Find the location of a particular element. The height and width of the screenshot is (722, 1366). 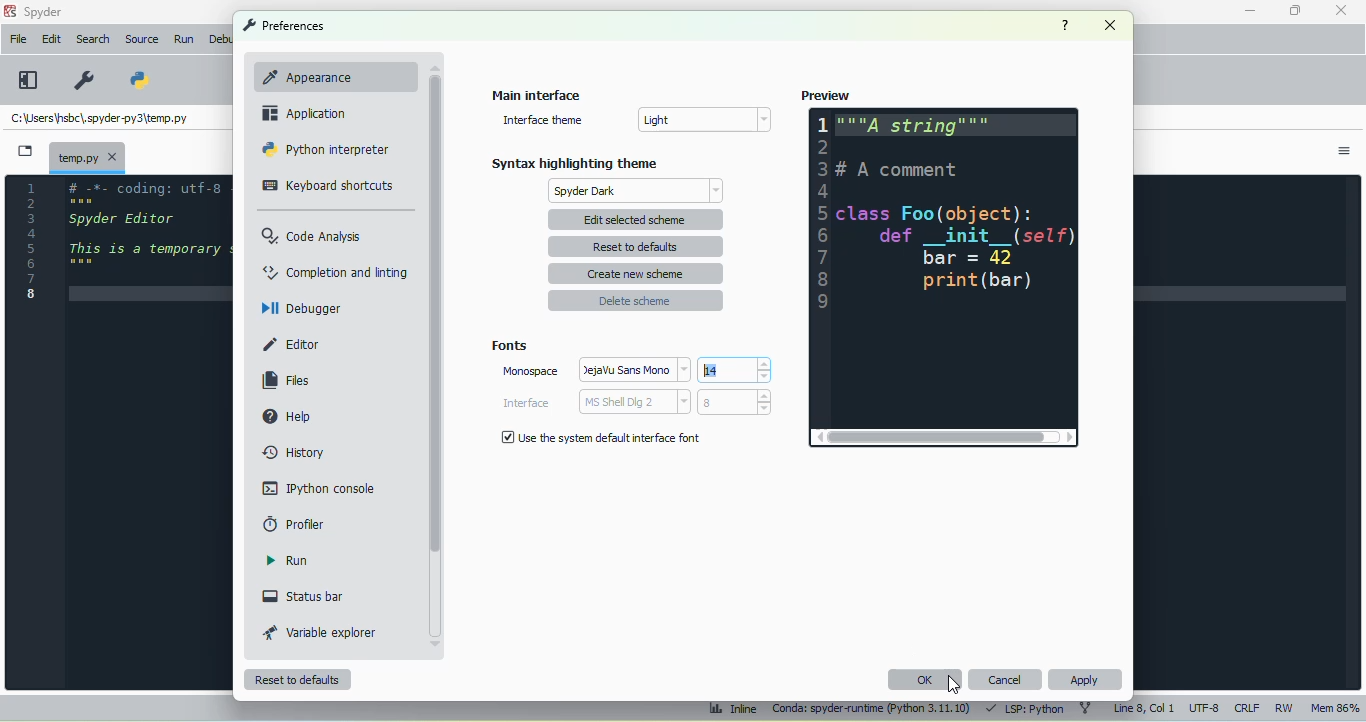

temporary file is located at coordinates (87, 156).